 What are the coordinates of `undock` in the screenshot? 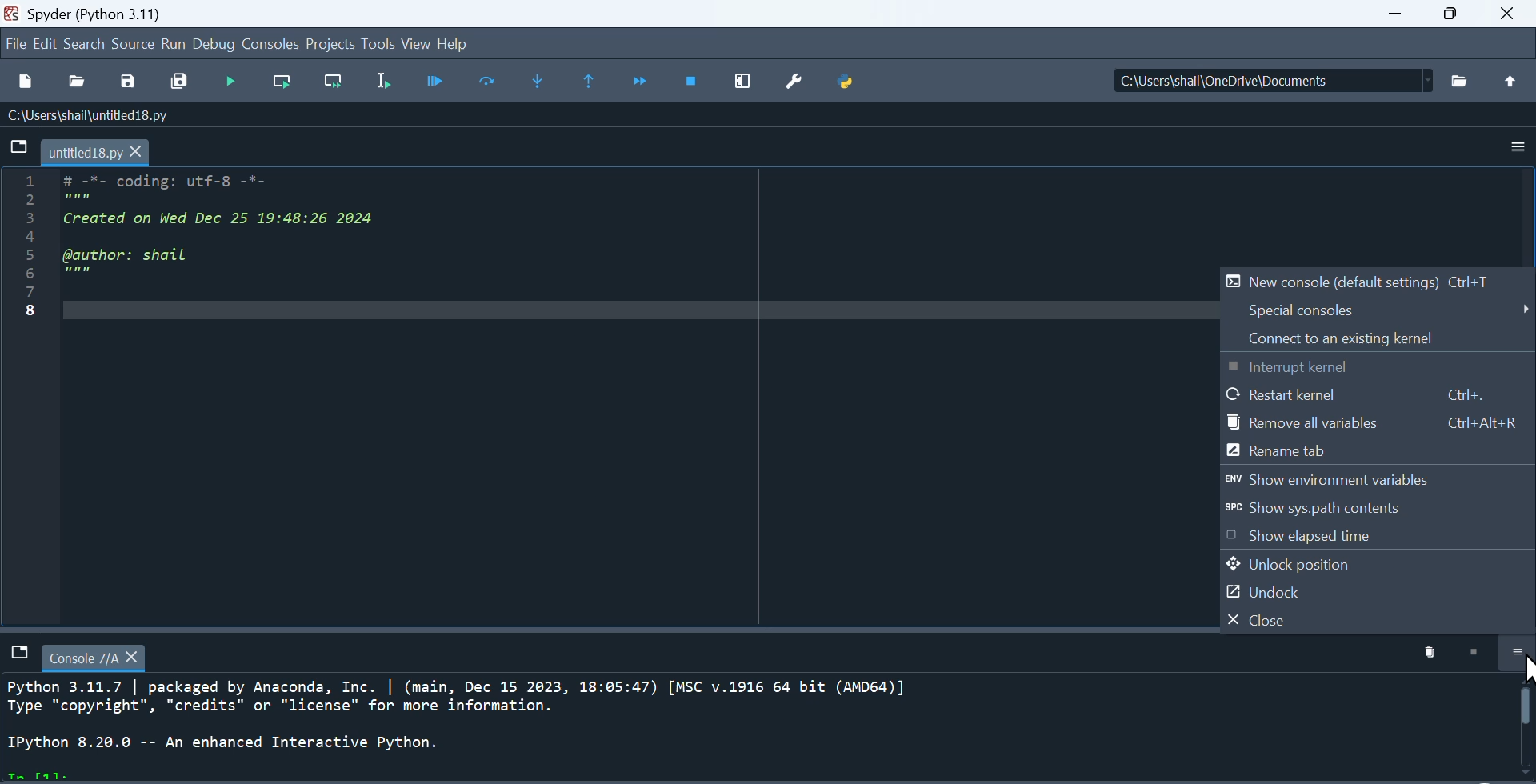 It's located at (1373, 590).